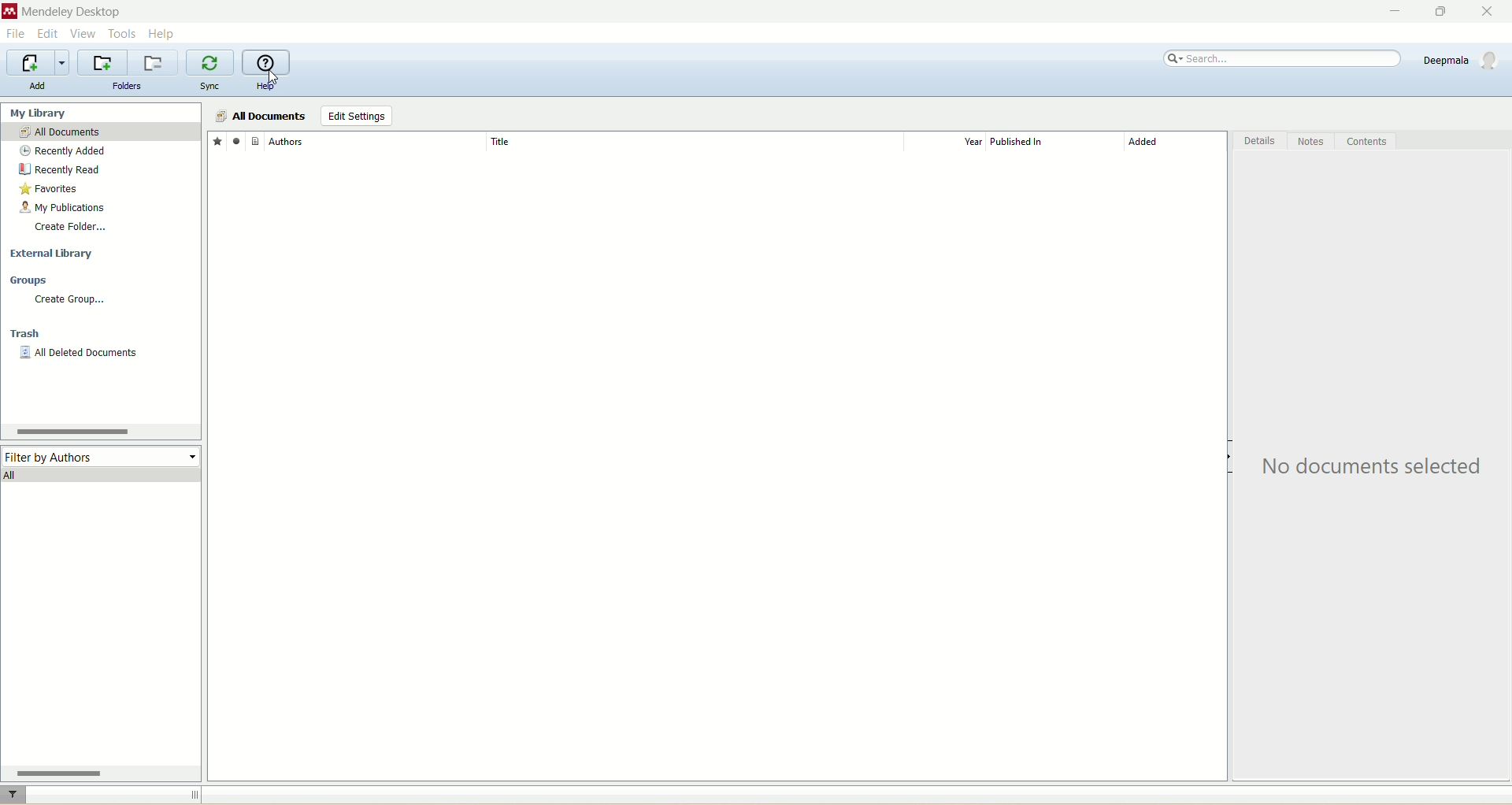  What do you see at coordinates (83, 34) in the screenshot?
I see `view` at bounding box center [83, 34].